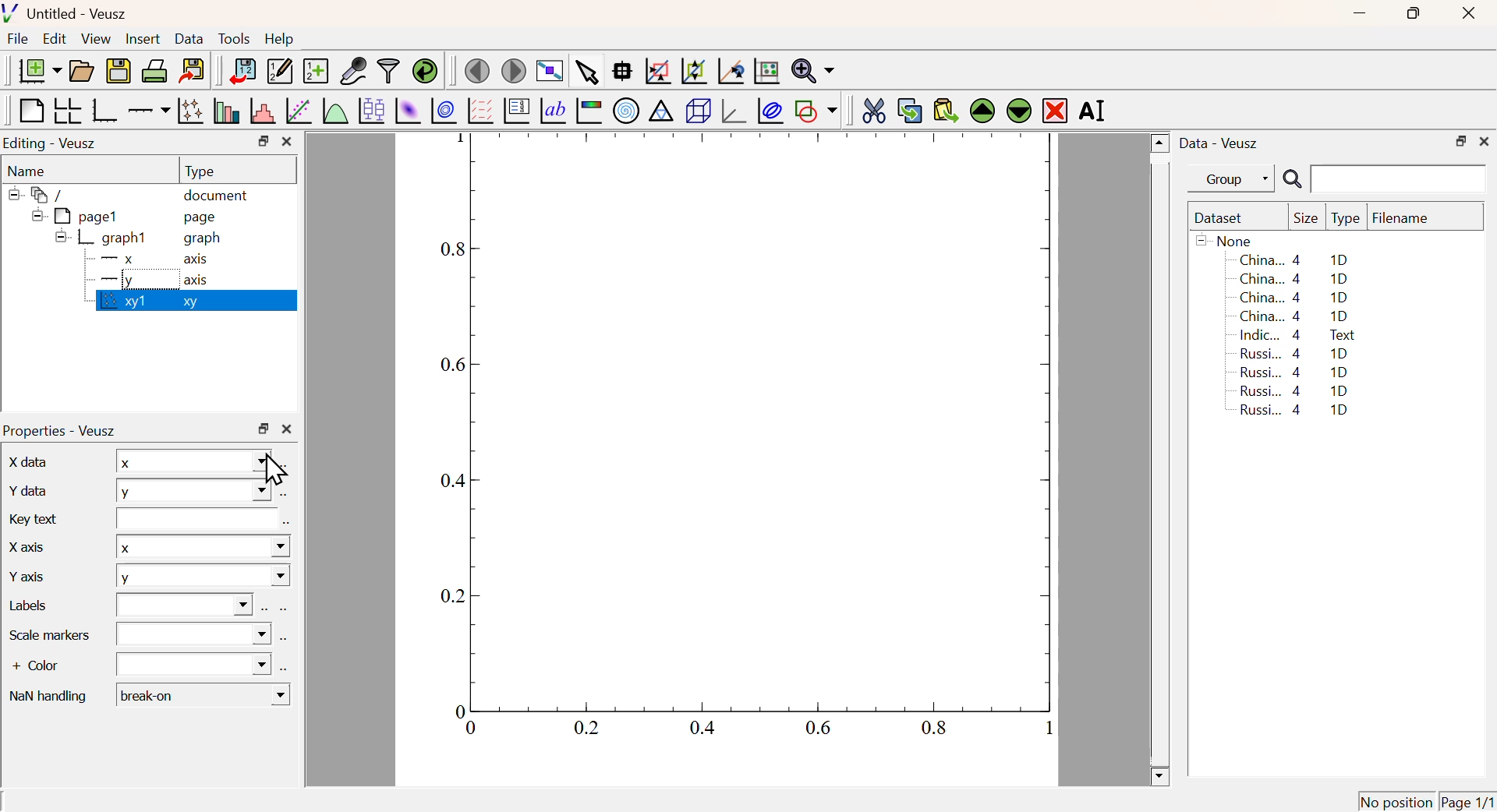  Describe the element at coordinates (80, 71) in the screenshot. I see `Open a document` at that location.